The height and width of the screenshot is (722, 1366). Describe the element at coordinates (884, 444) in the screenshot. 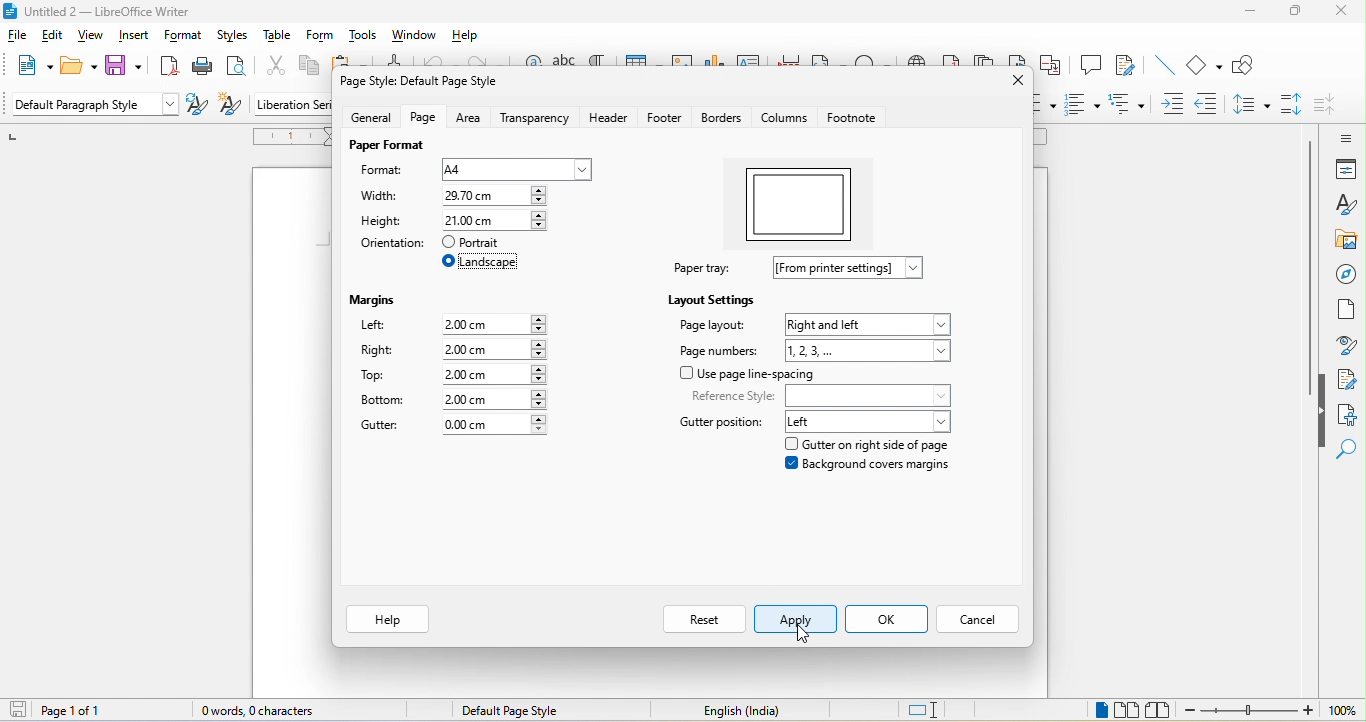

I see `gutter on right side of page` at that location.